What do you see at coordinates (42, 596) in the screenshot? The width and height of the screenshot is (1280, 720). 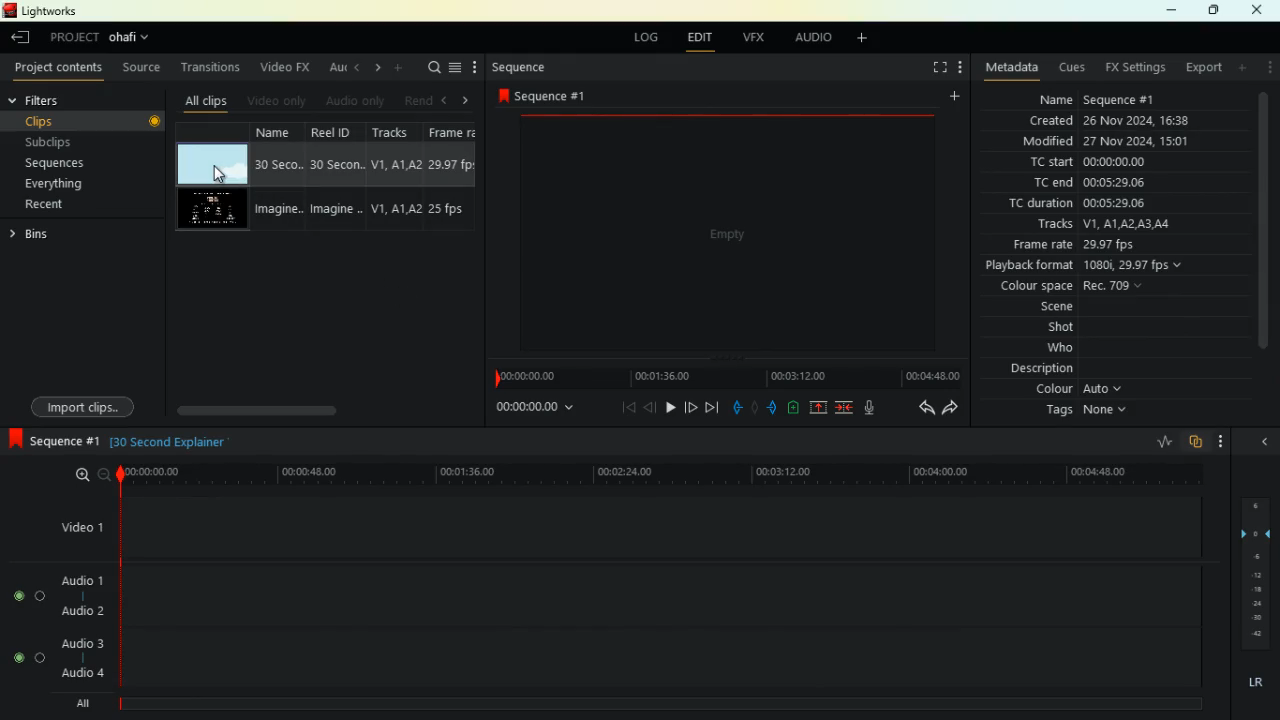 I see `toggle` at bounding box center [42, 596].